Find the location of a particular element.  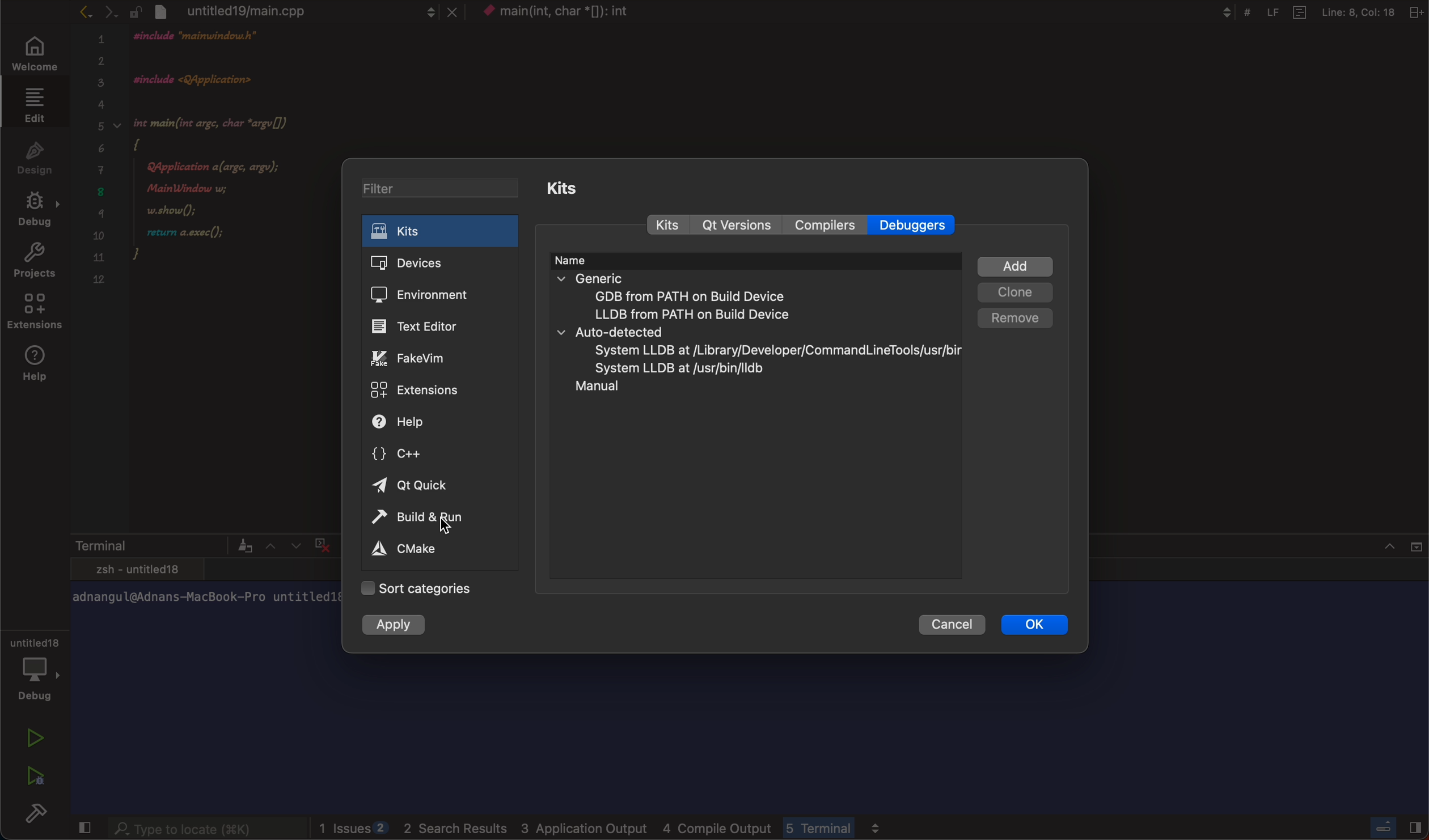

cancel is located at coordinates (954, 625).